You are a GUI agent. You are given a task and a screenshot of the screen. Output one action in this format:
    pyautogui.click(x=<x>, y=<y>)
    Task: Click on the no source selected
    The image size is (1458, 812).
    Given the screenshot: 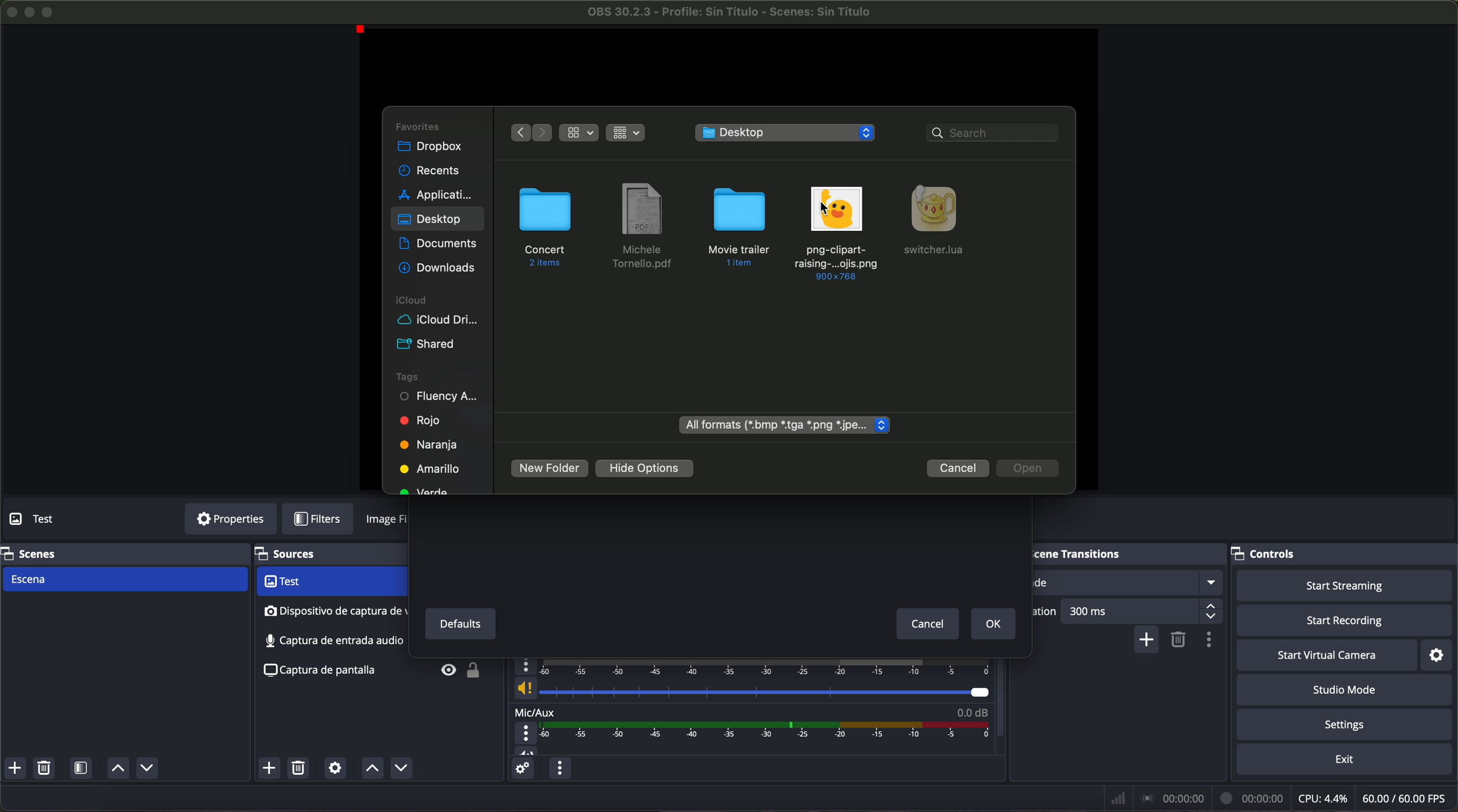 What is the action you would take?
    pyautogui.click(x=59, y=518)
    